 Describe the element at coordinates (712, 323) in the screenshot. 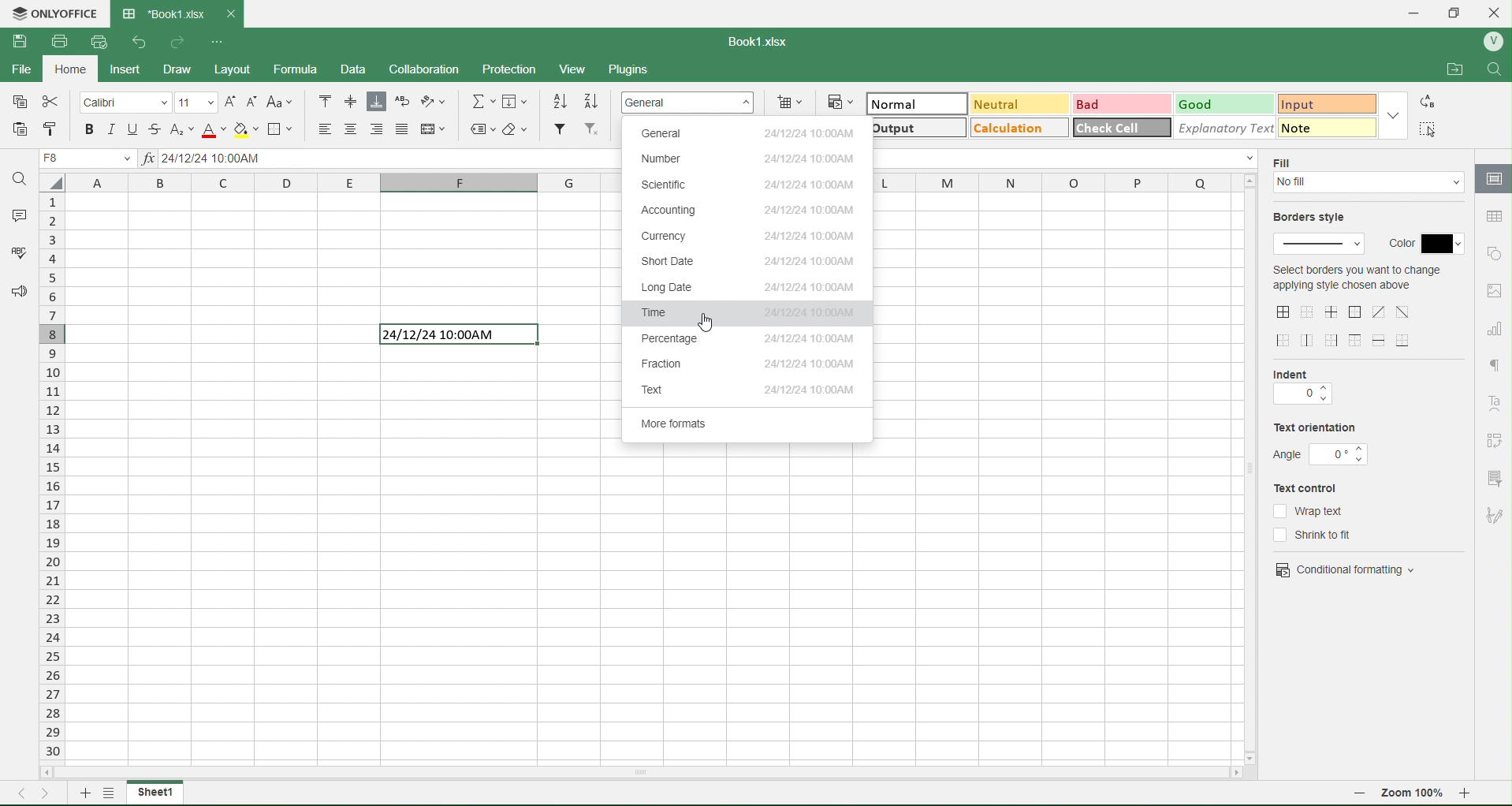

I see `cursor` at that location.